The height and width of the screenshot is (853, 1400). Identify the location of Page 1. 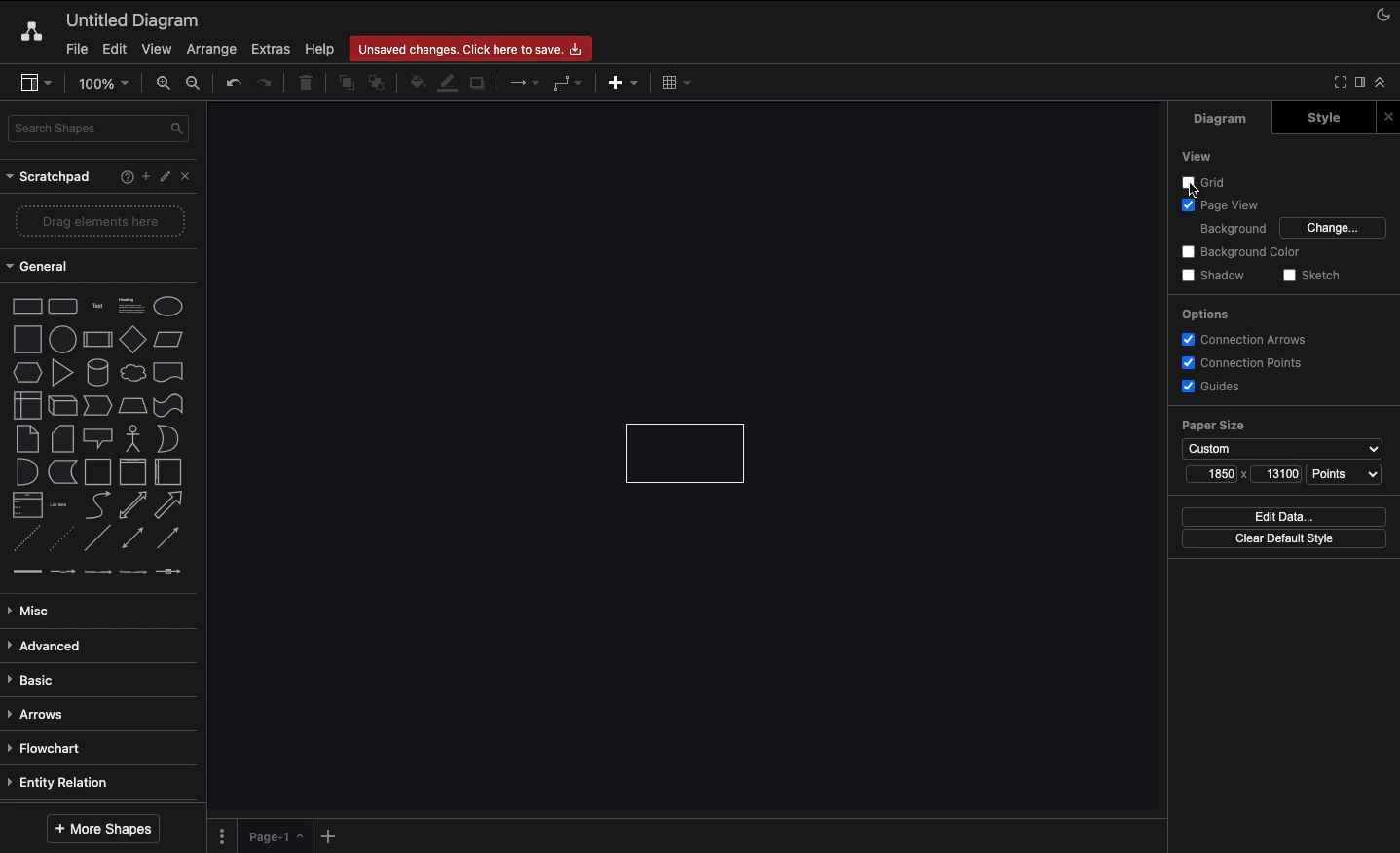
(276, 837).